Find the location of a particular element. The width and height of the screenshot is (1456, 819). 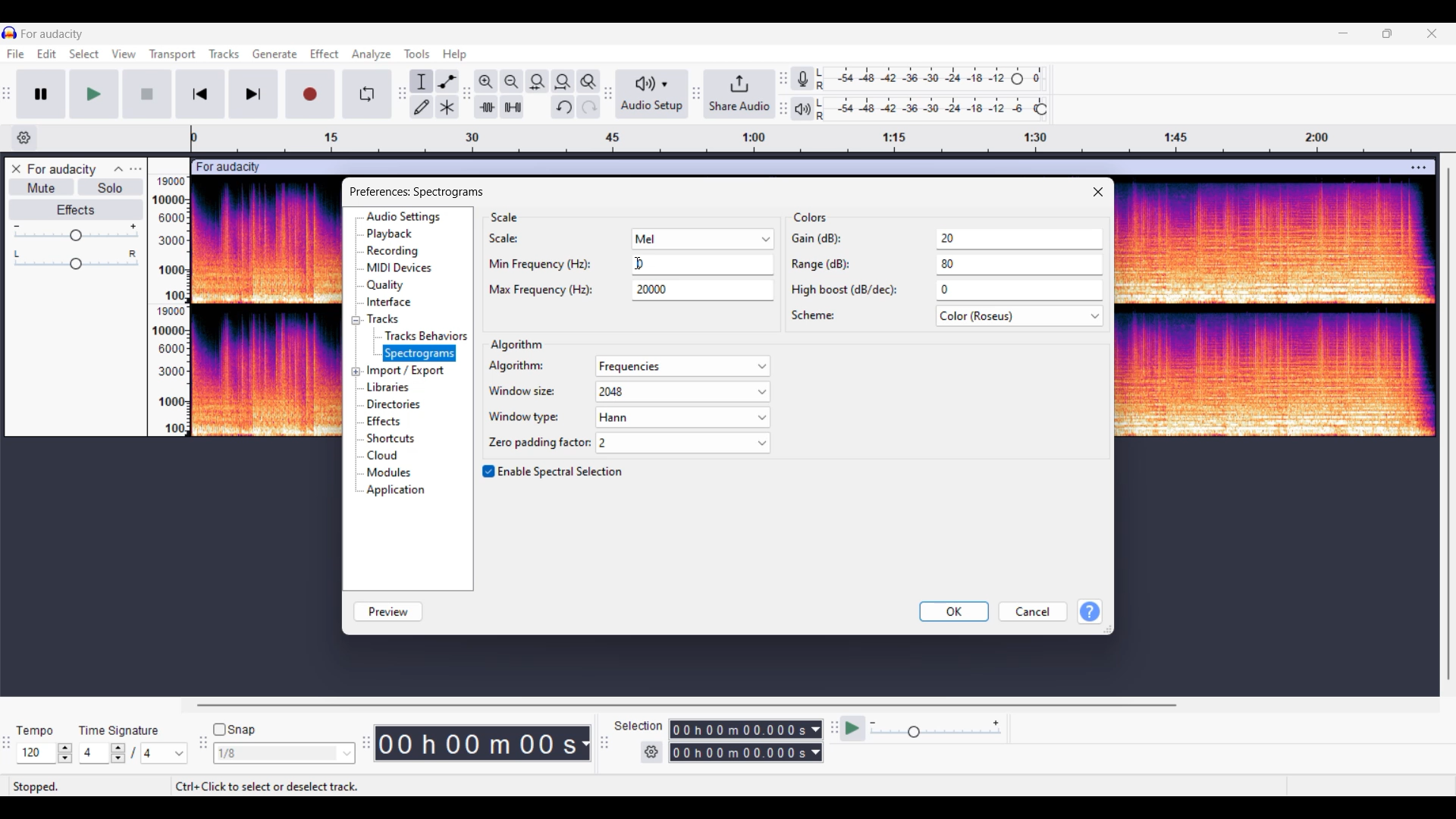

shortcuts is located at coordinates (399, 439).